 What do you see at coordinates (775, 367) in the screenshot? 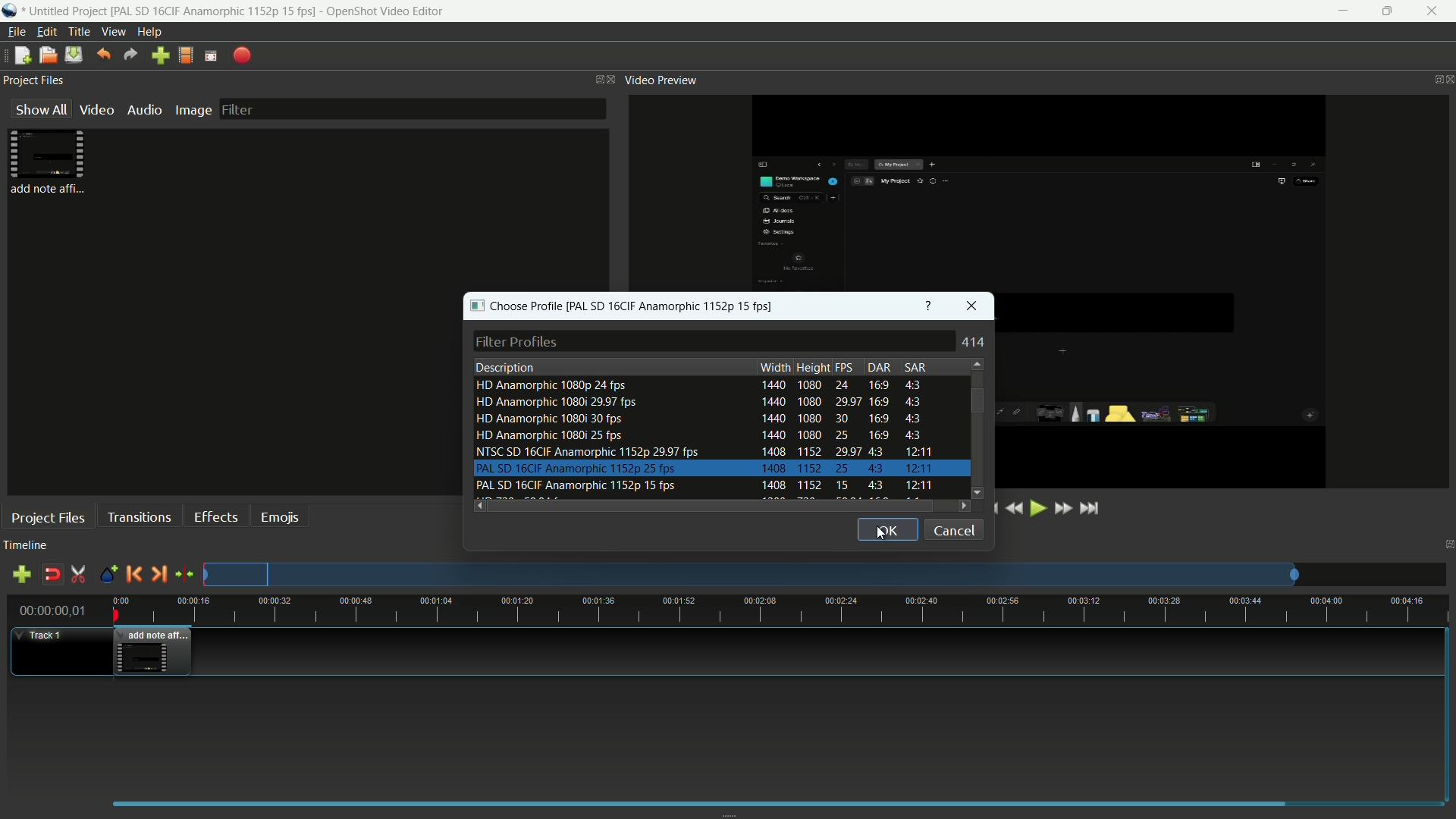
I see `width` at bounding box center [775, 367].